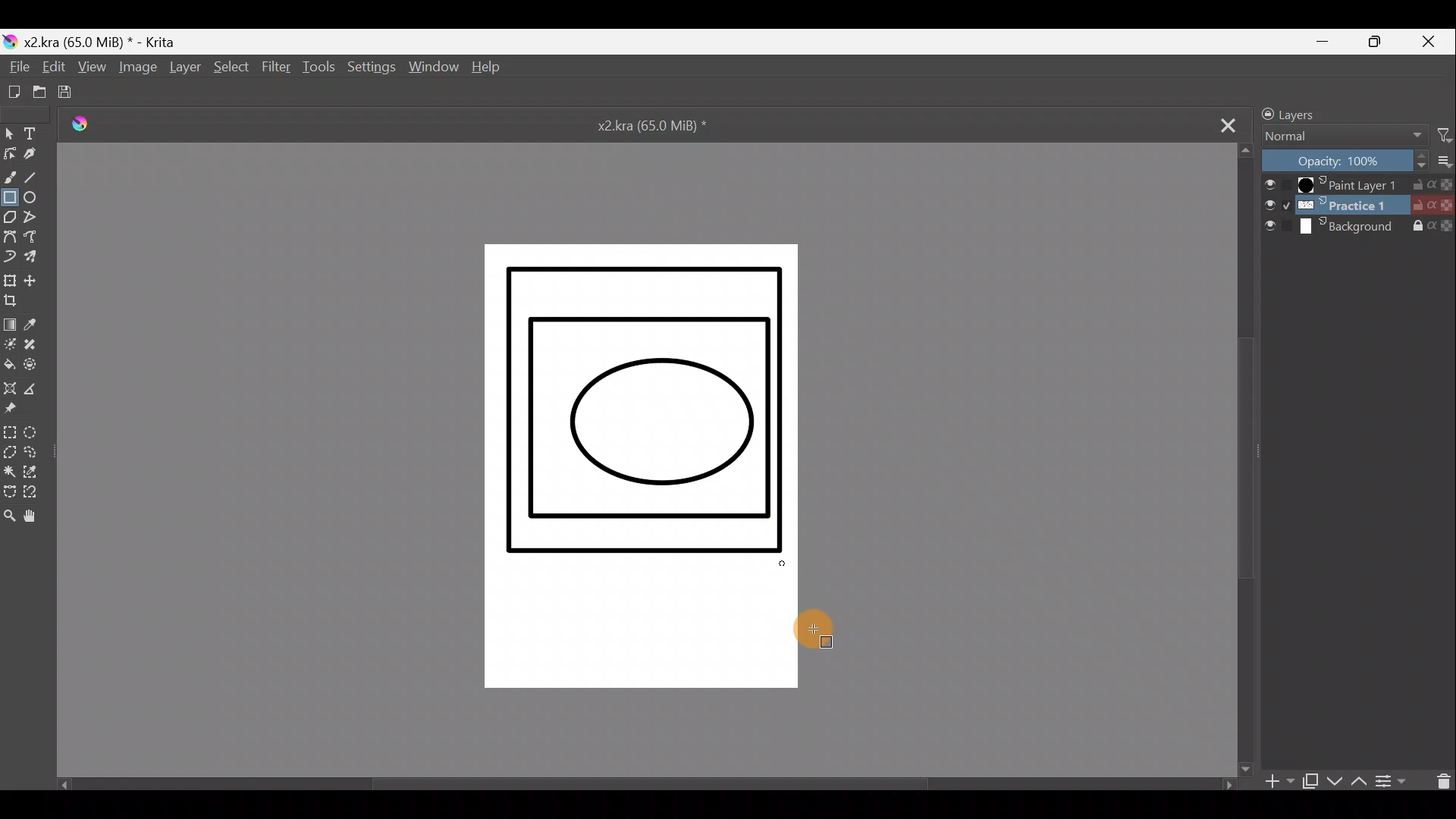 Image resolution: width=1456 pixels, height=819 pixels. What do you see at coordinates (1357, 185) in the screenshot?
I see `Paint Layer 1` at bounding box center [1357, 185].